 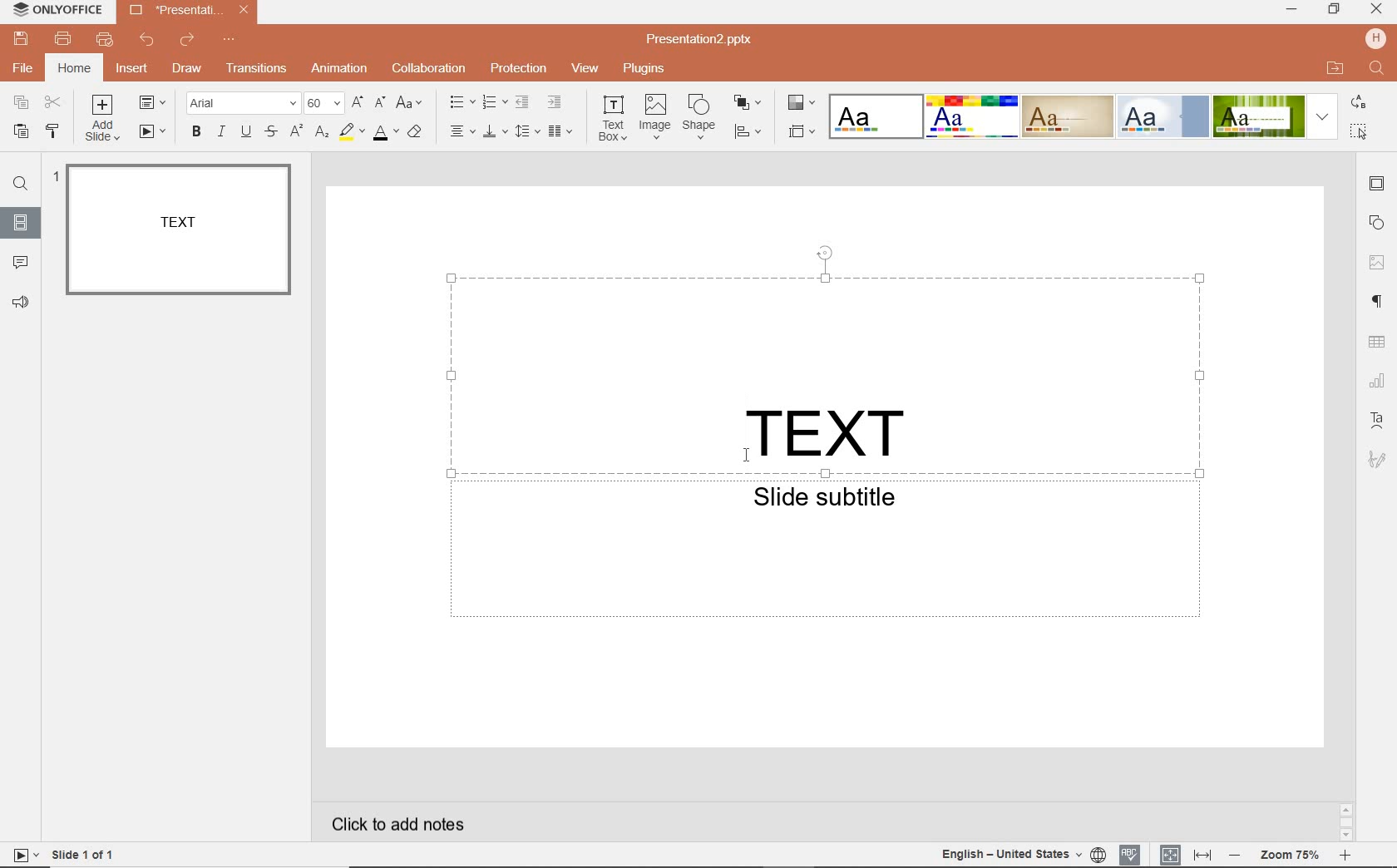 What do you see at coordinates (522, 104) in the screenshot?
I see `DECREASE INDENT` at bounding box center [522, 104].